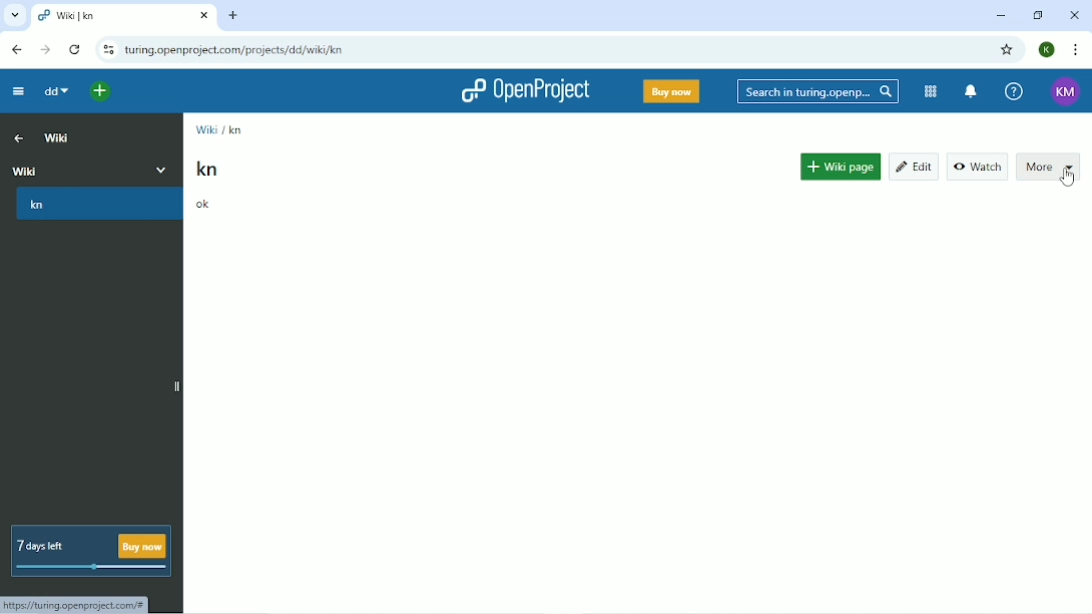  I want to click on Search tabs, so click(16, 16).